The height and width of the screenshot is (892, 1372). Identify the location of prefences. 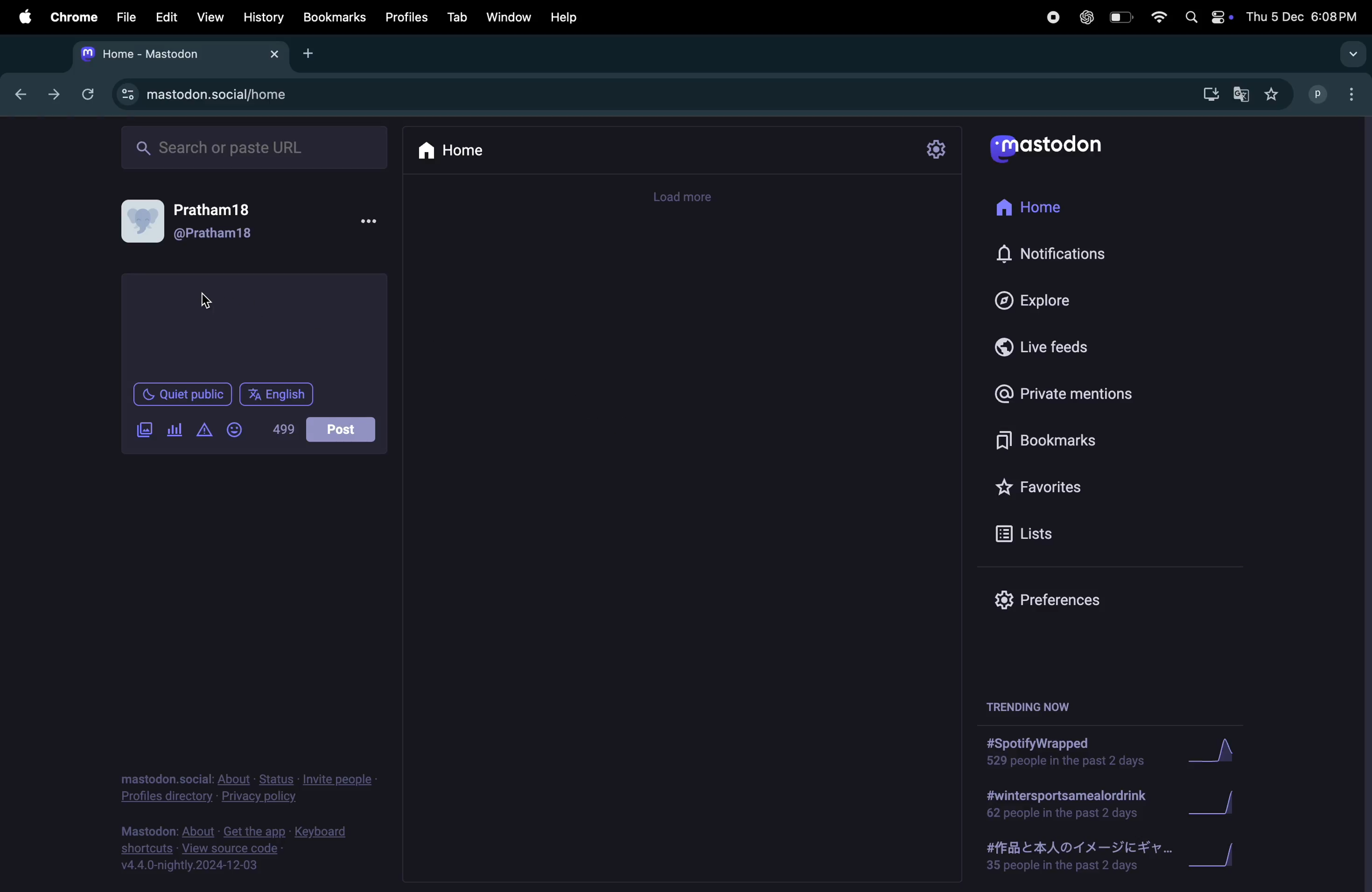
(1064, 602).